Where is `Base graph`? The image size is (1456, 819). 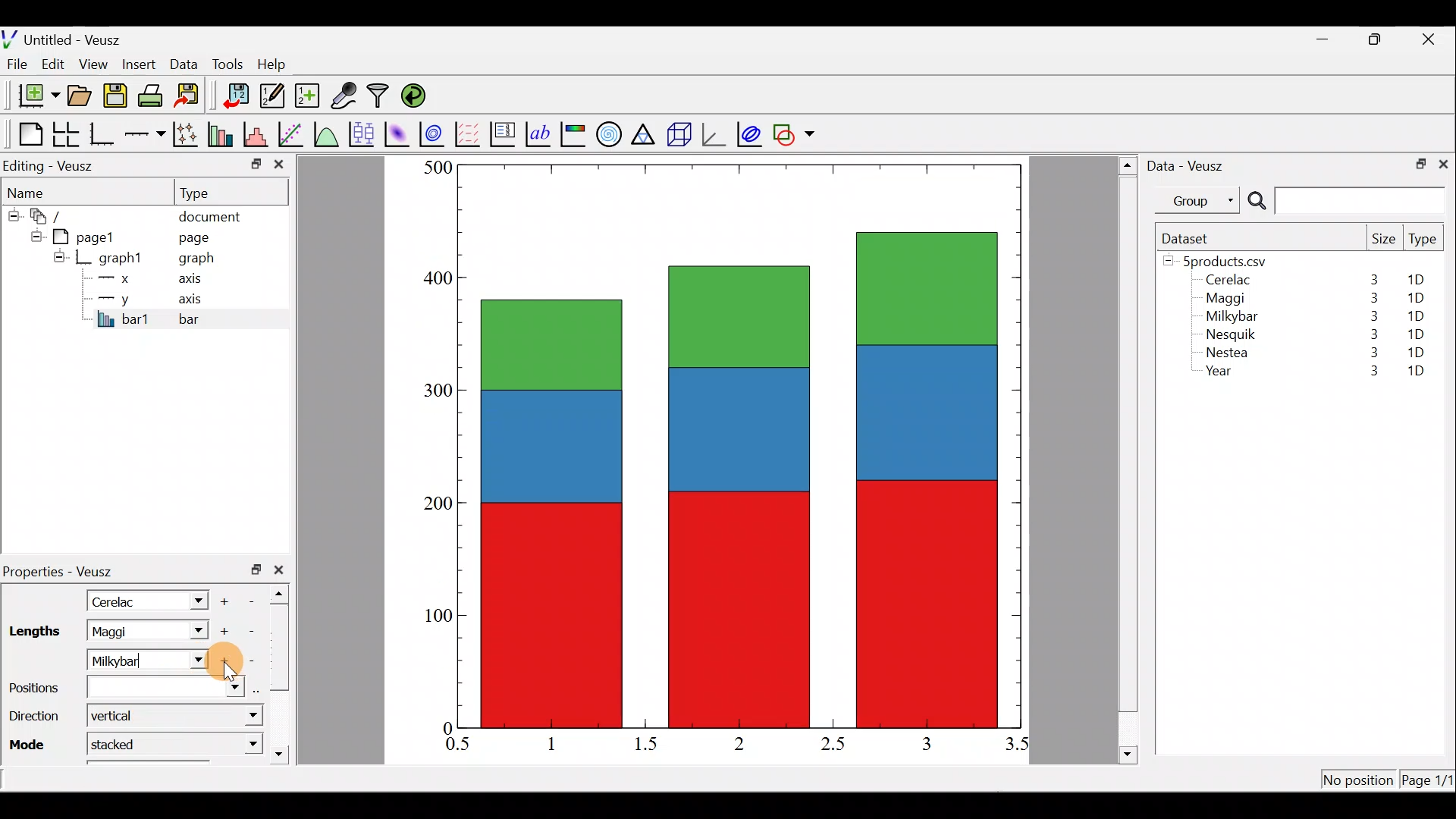 Base graph is located at coordinates (103, 134).